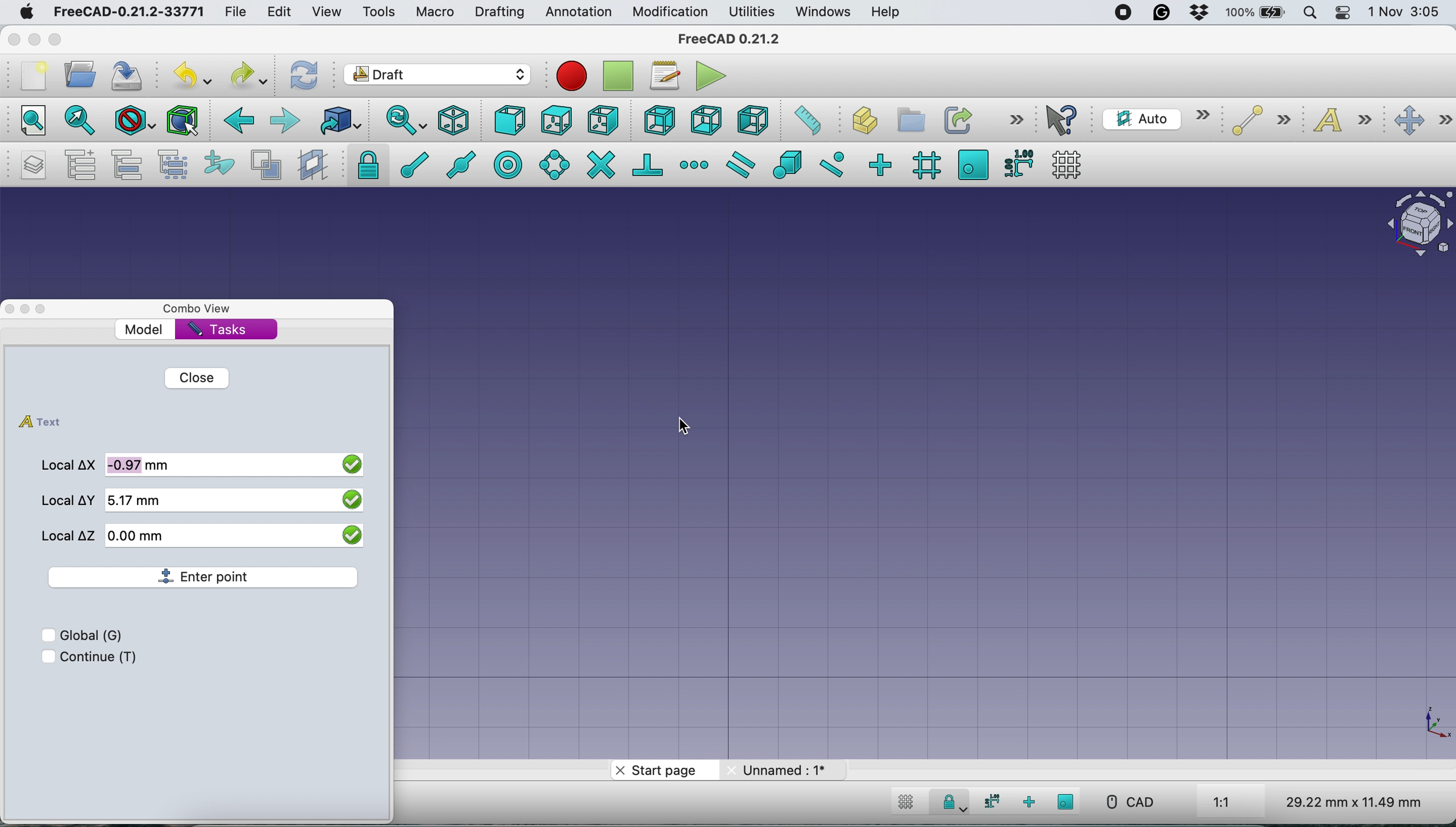 The image size is (1456, 827). Describe the element at coordinates (1408, 11) in the screenshot. I see `date and time` at that location.